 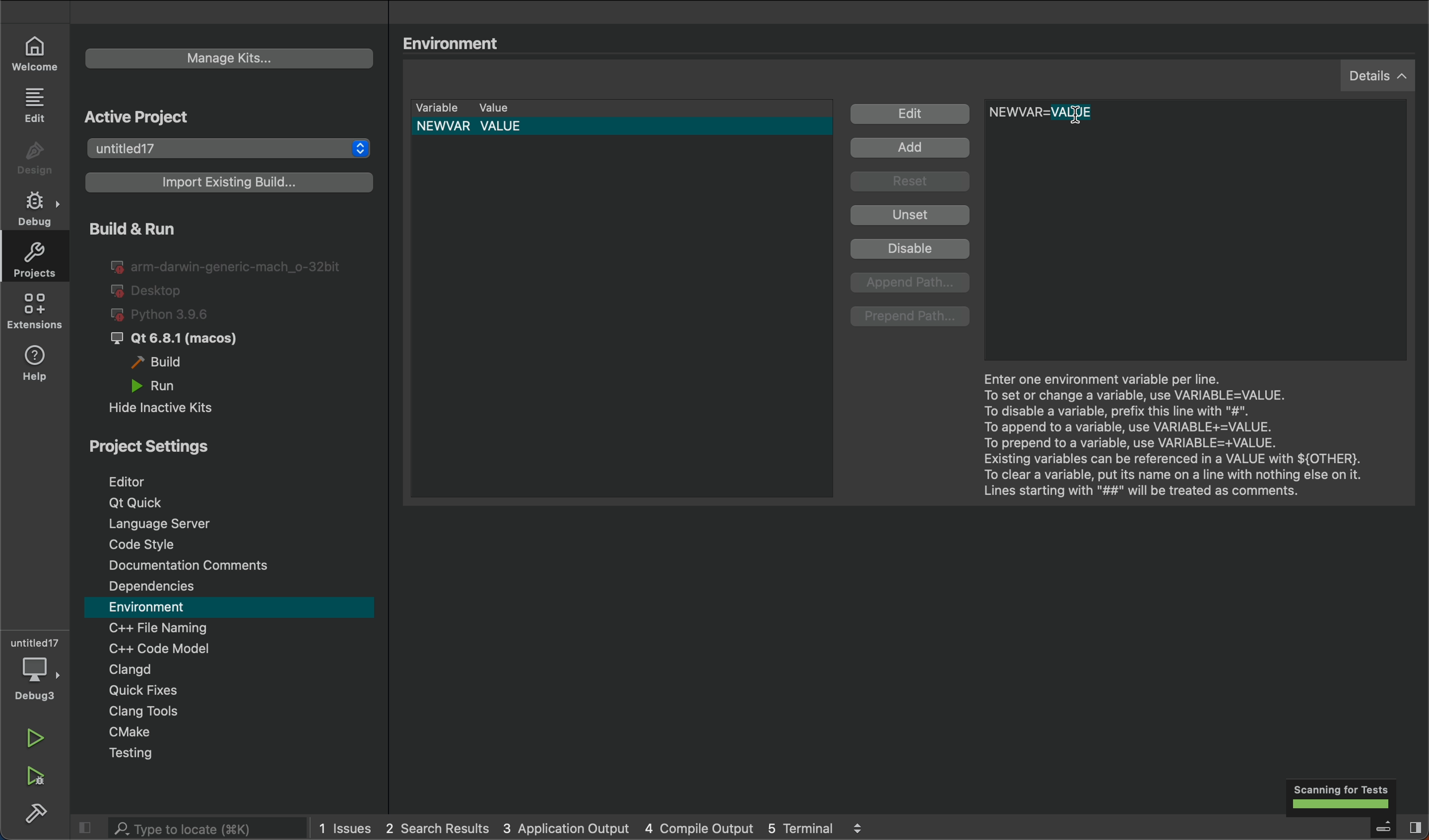 I want to click on 2 search results, so click(x=438, y=829).